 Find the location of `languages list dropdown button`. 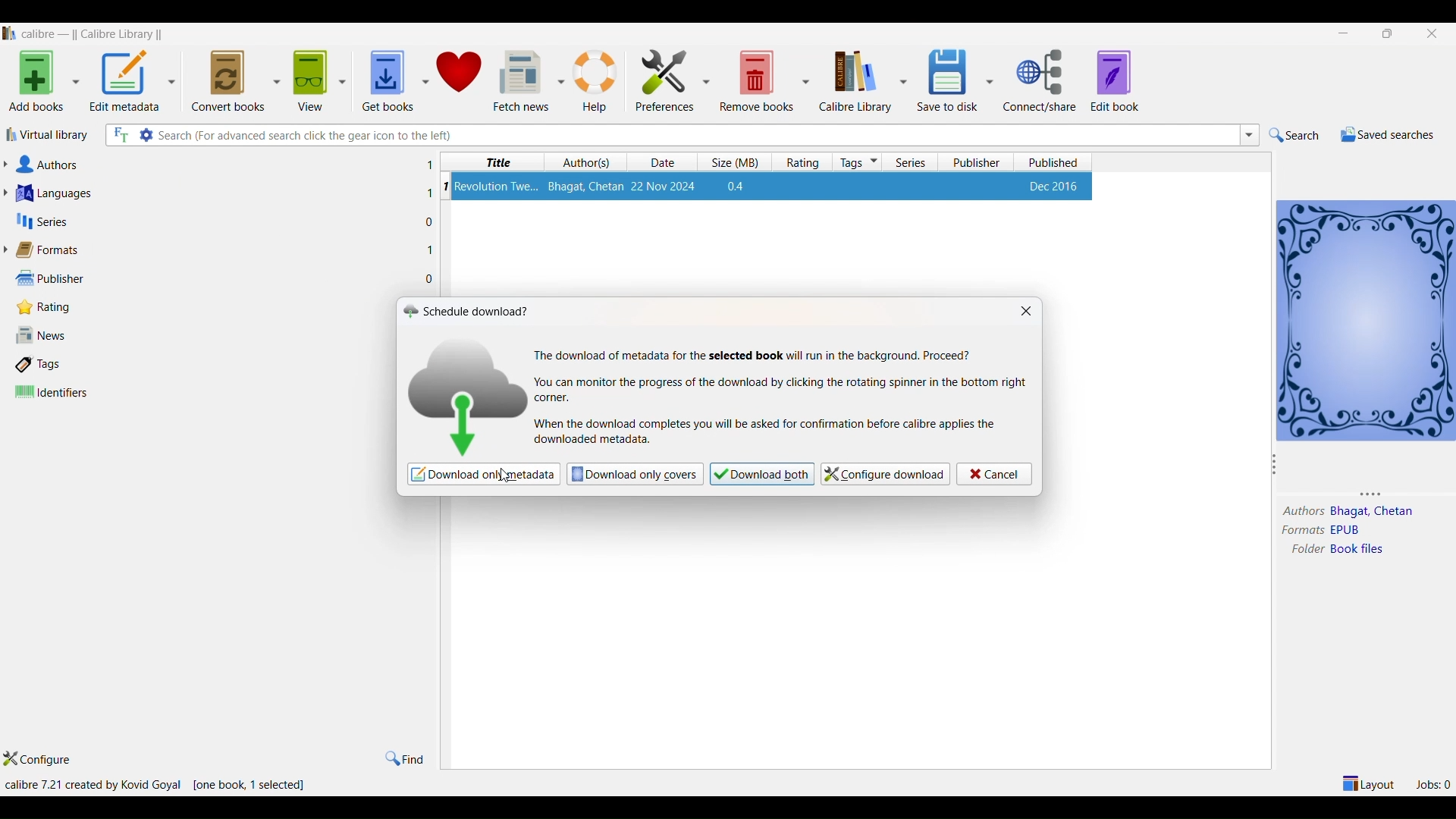

languages list dropdown button is located at coordinates (10, 193).